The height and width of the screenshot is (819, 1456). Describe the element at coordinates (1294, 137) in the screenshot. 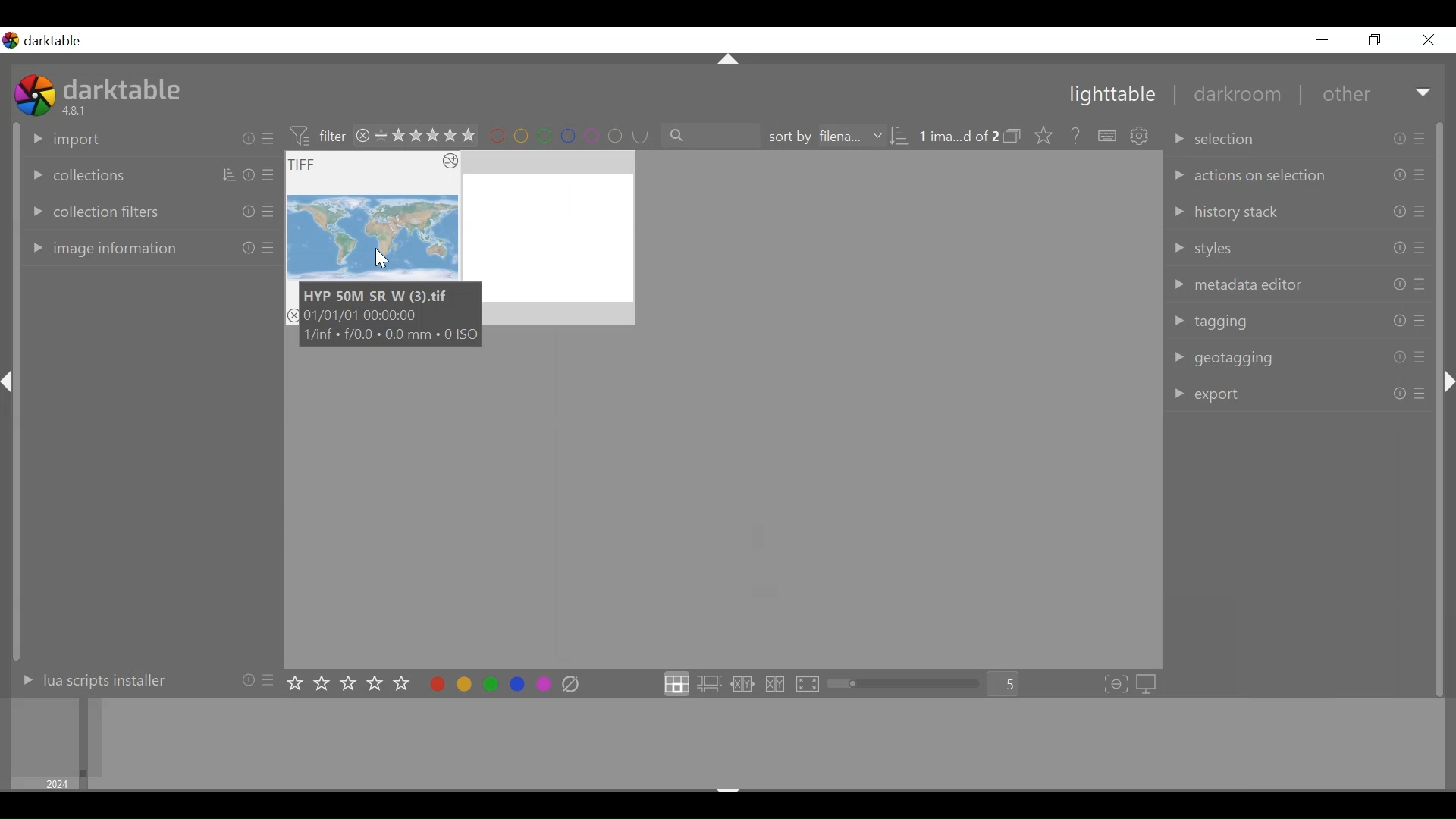

I see `selection` at that location.